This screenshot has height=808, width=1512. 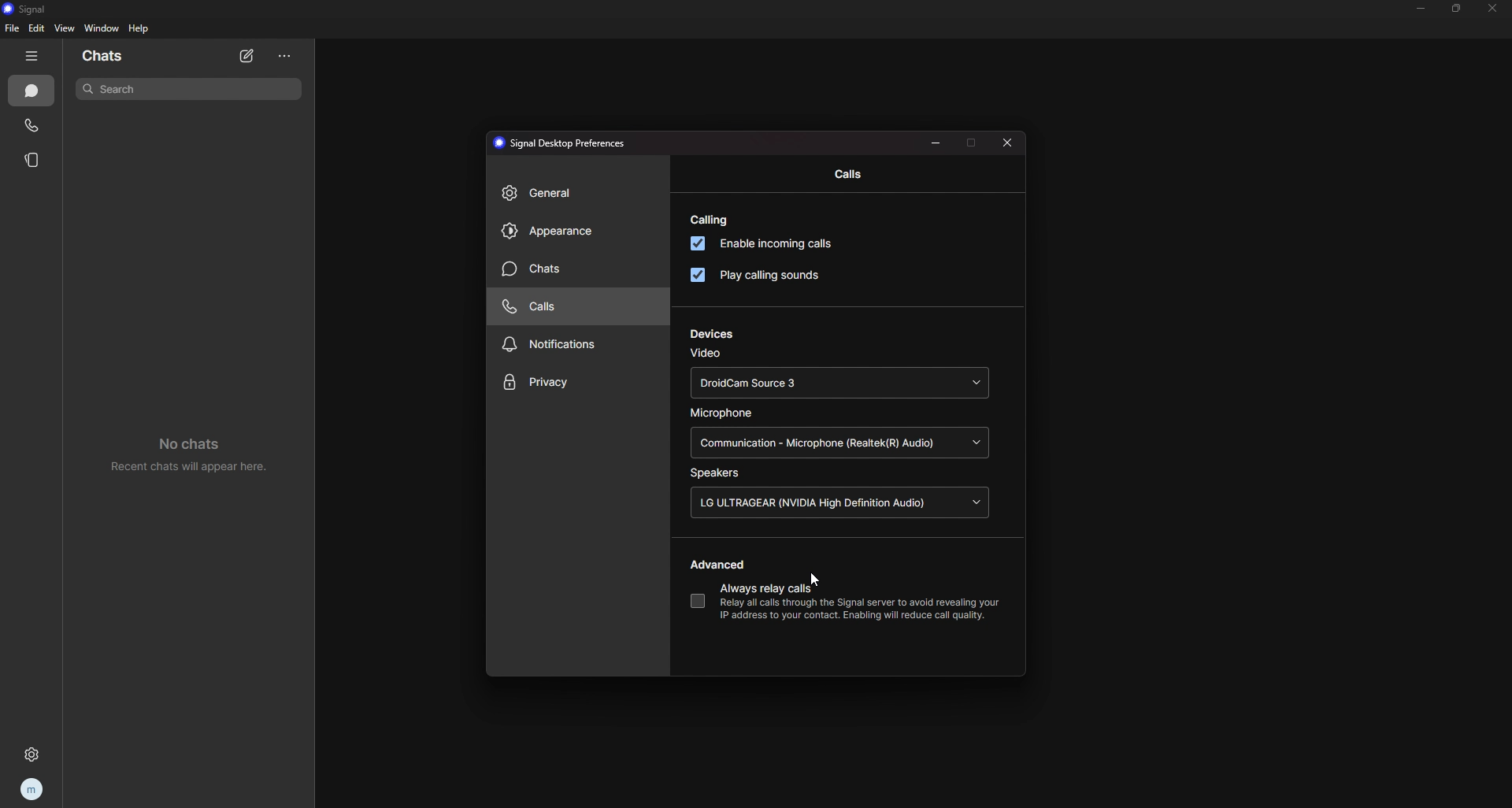 What do you see at coordinates (936, 143) in the screenshot?
I see `minimize` at bounding box center [936, 143].